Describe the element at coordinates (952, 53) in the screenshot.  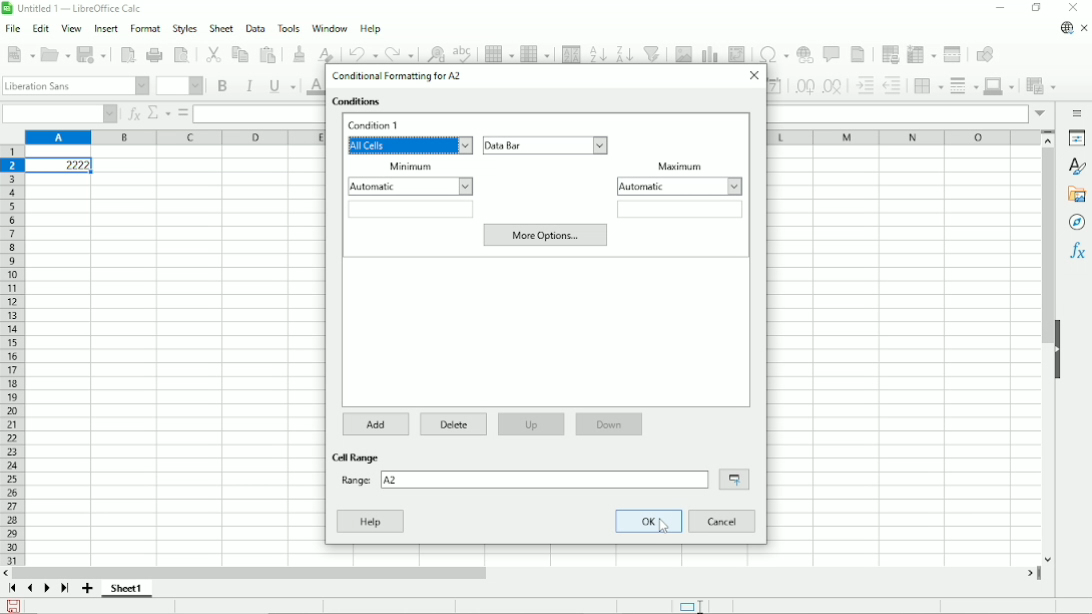
I see `Split window` at that location.